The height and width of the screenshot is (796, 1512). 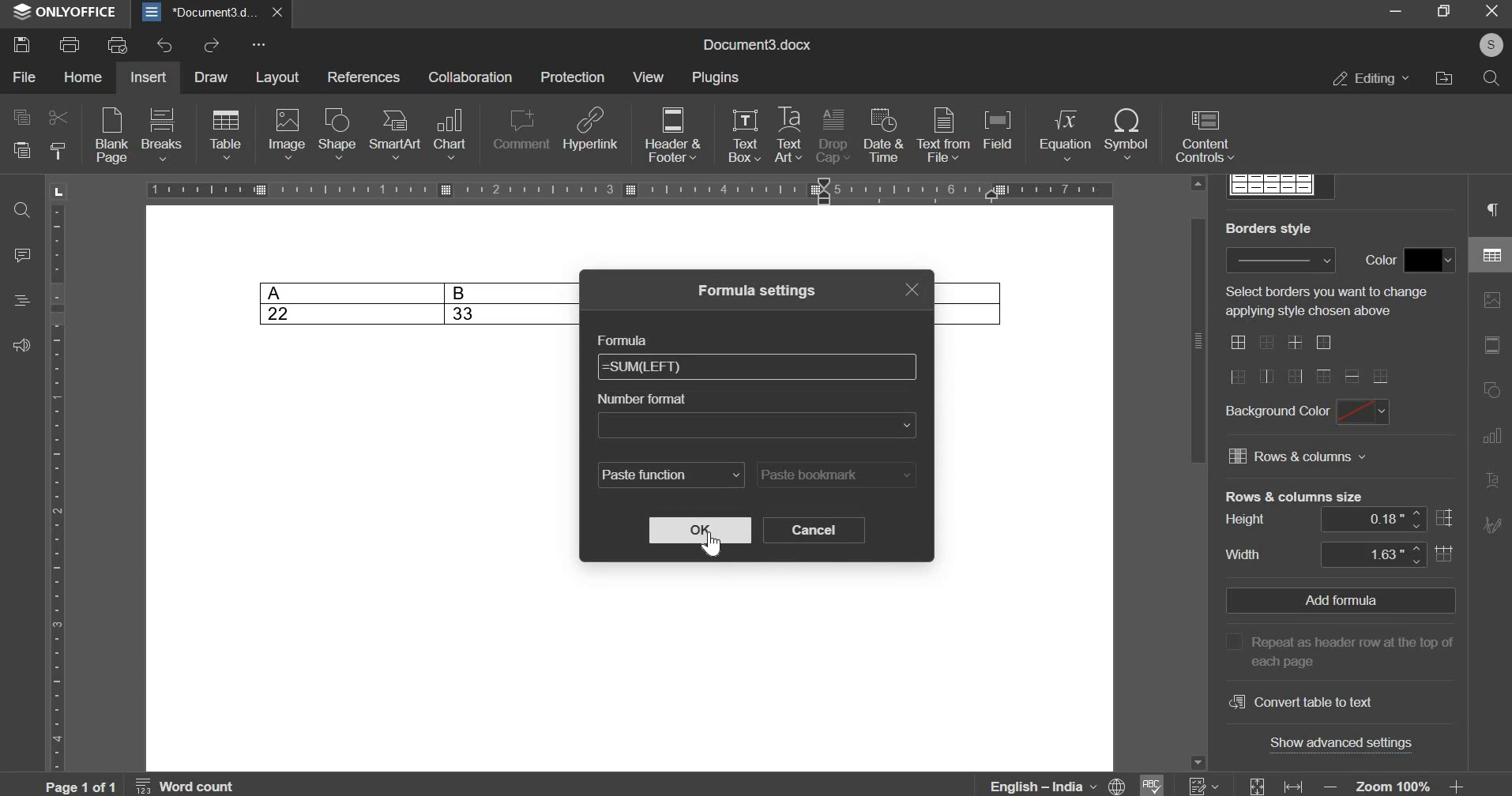 What do you see at coordinates (1000, 134) in the screenshot?
I see `field` at bounding box center [1000, 134].